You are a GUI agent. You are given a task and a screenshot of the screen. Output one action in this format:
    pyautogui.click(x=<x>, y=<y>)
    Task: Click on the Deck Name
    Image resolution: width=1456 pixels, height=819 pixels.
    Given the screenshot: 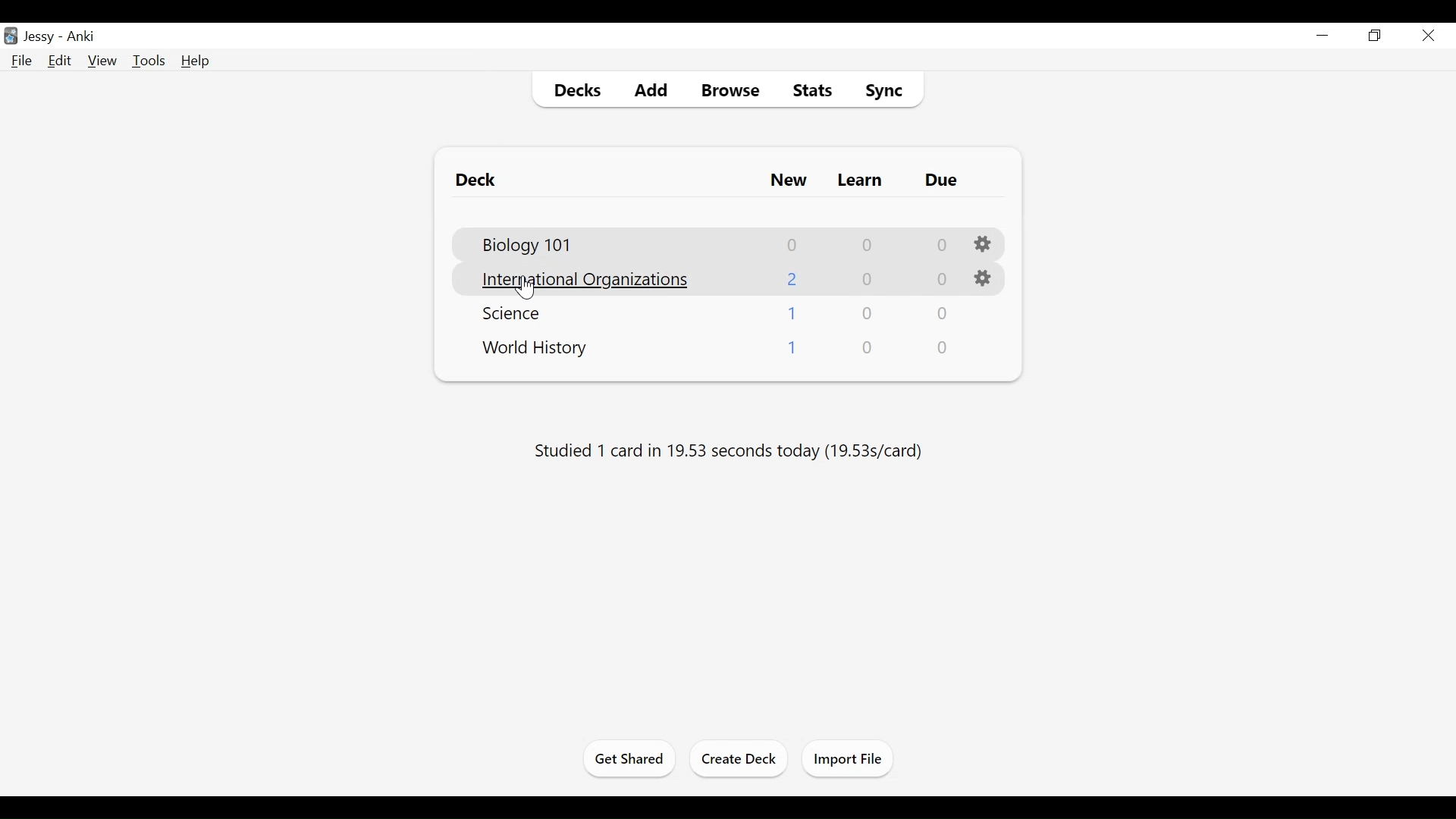 What is the action you would take?
    pyautogui.click(x=509, y=313)
    